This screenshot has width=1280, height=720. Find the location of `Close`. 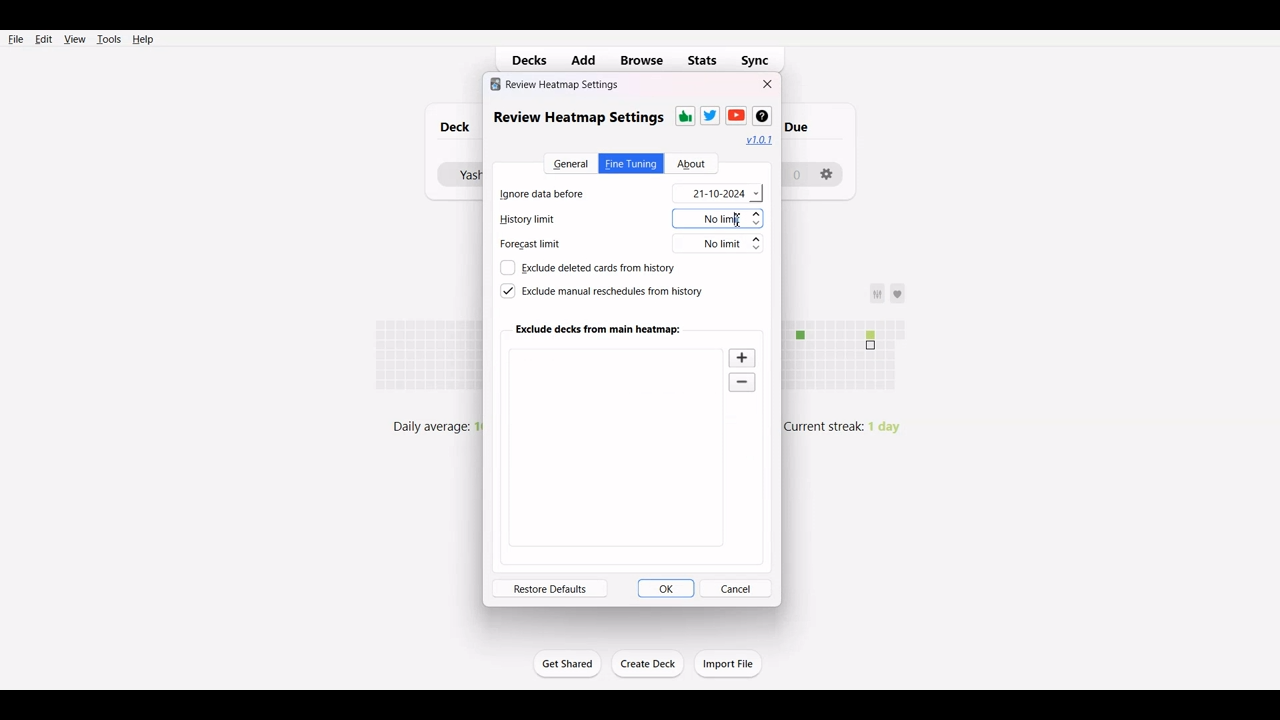

Close is located at coordinates (768, 84).